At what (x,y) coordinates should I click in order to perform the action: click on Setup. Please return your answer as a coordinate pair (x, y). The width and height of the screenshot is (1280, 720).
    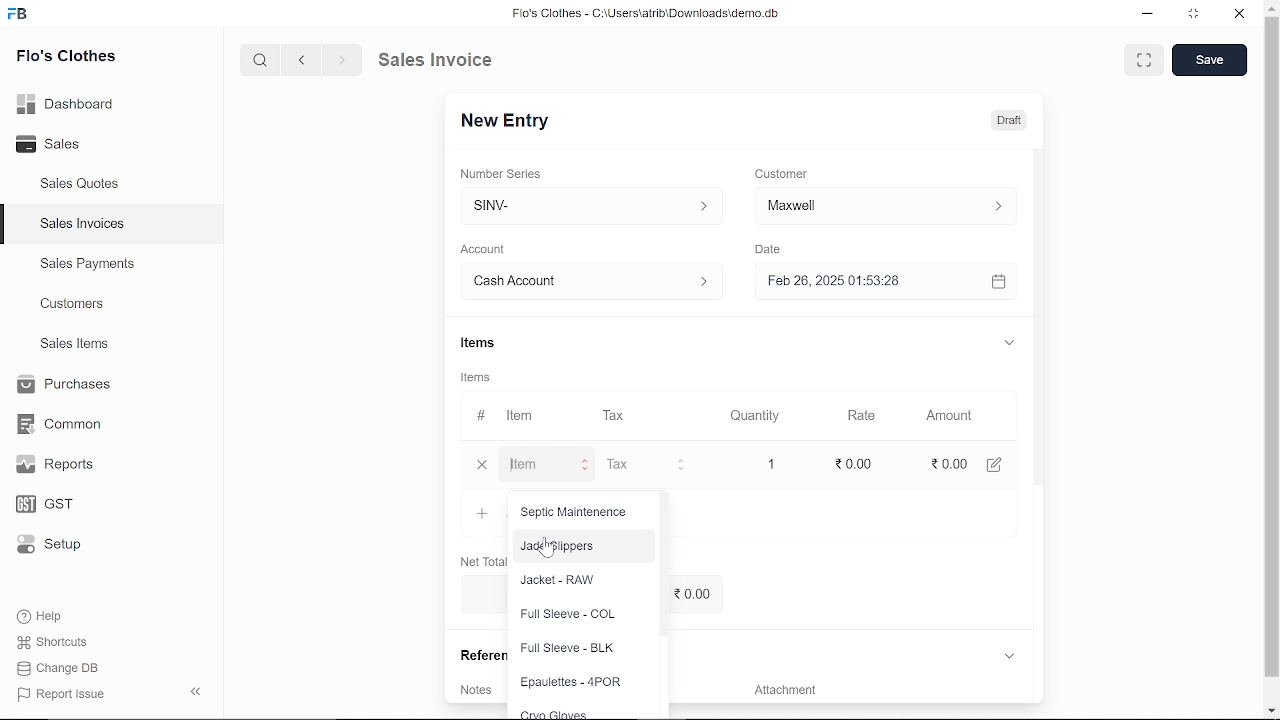
    Looking at the image, I should click on (63, 546).